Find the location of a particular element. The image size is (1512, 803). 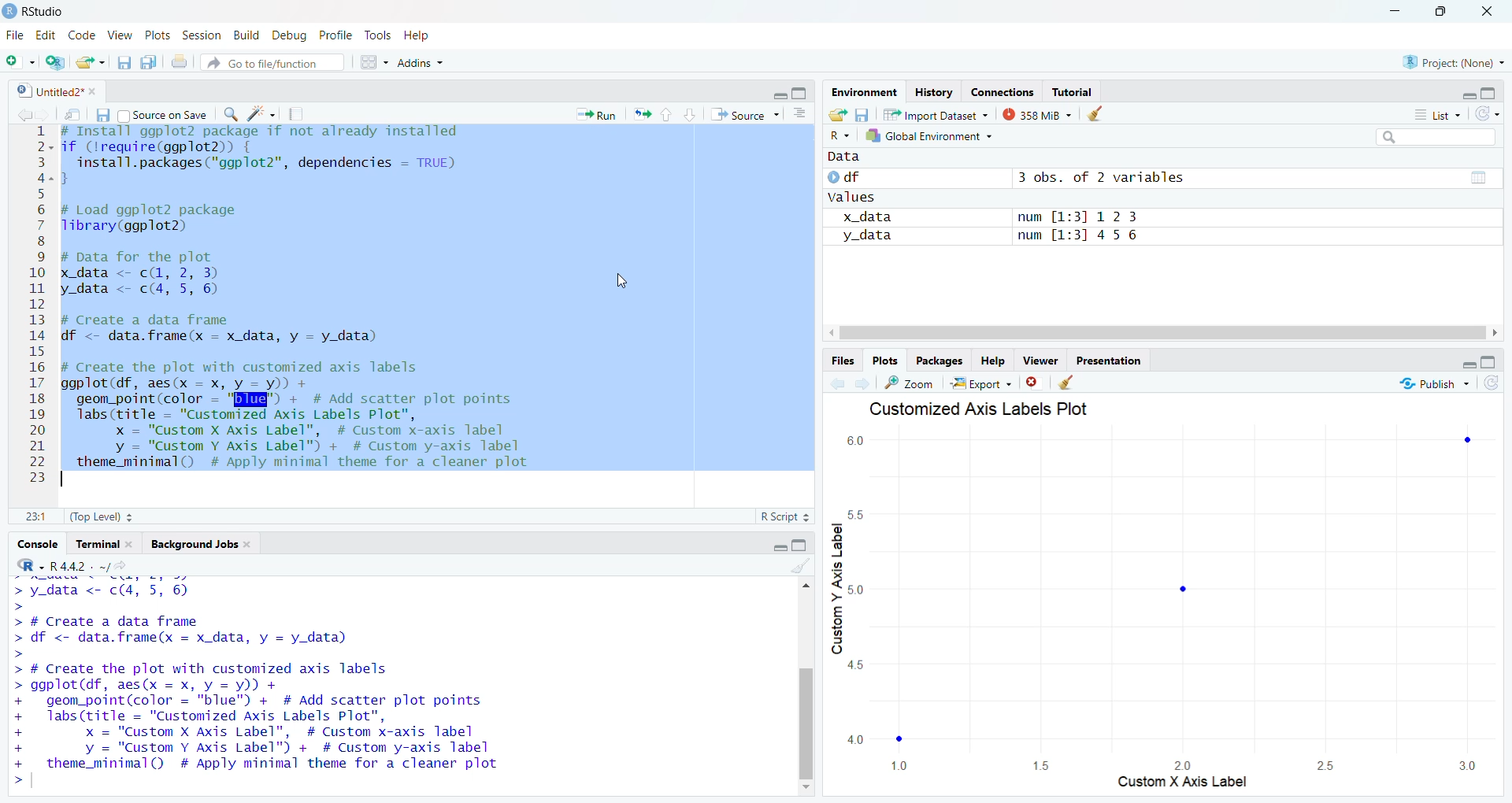

| Untitled2* * is located at coordinates (54, 88).